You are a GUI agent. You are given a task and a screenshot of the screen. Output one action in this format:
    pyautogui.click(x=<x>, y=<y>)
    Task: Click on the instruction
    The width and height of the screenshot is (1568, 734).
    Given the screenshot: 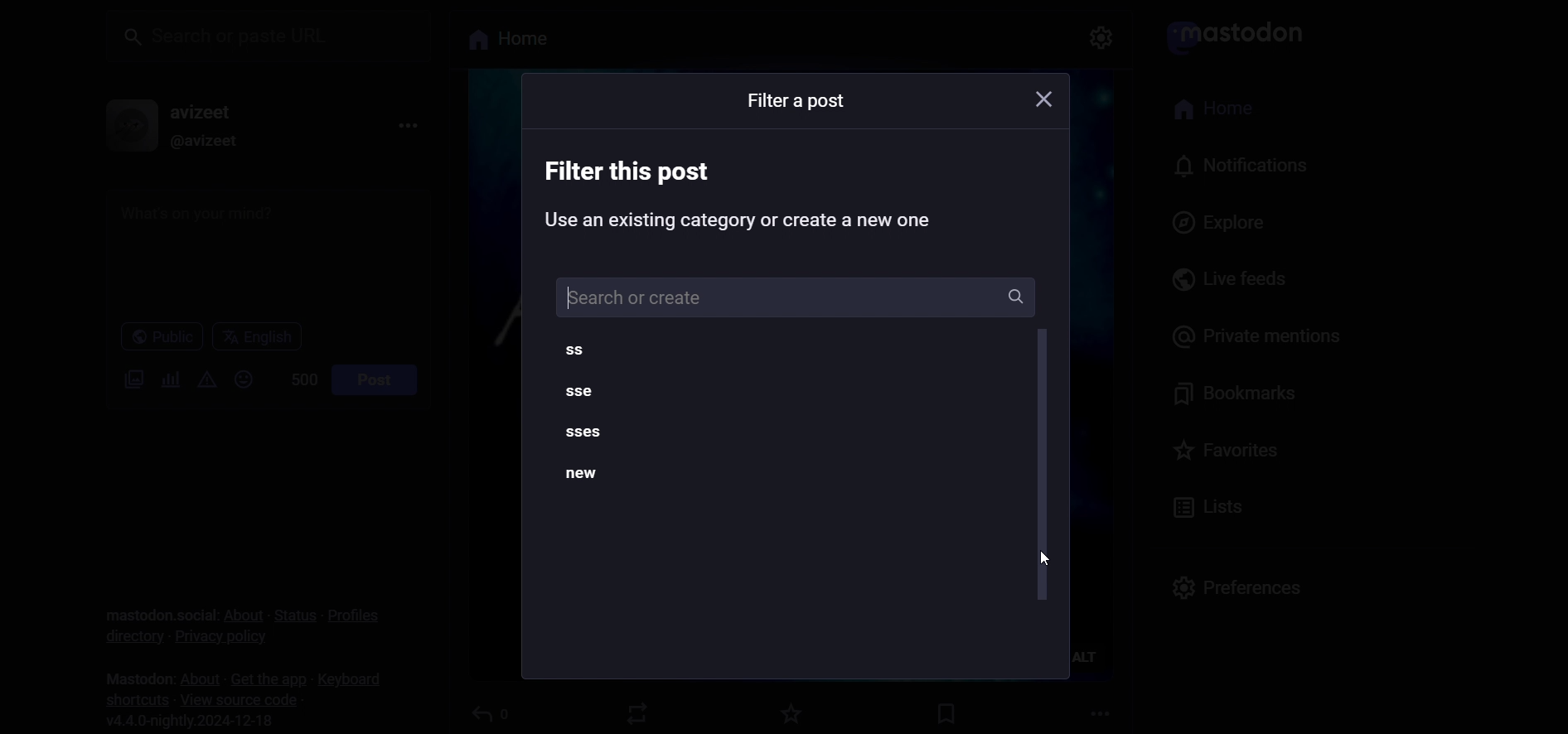 What is the action you would take?
    pyautogui.click(x=751, y=196)
    